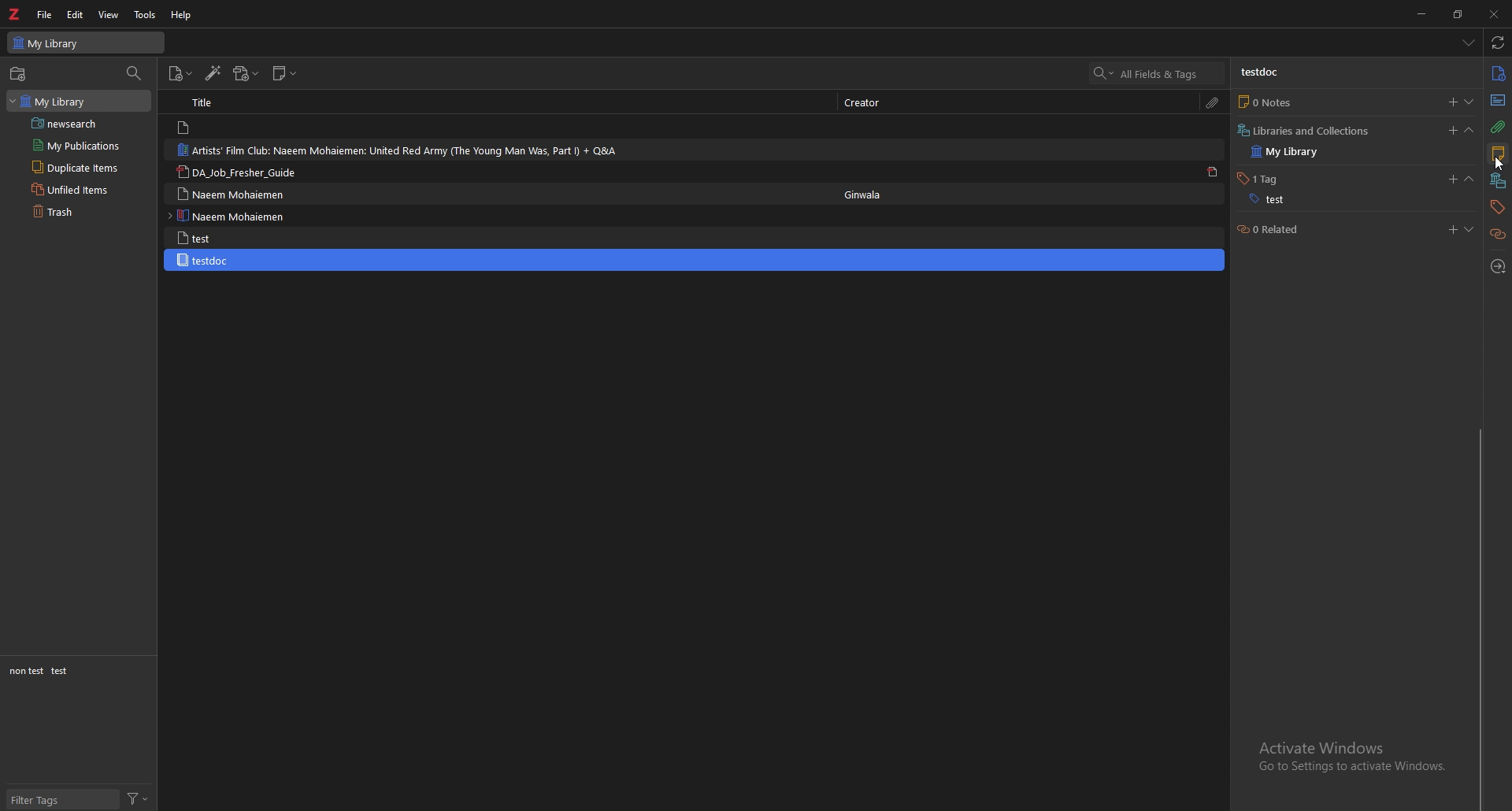 The image size is (1512, 811). What do you see at coordinates (1473, 131) in the screenshot?
I see `collapse` at bounding box center [1473, 131].